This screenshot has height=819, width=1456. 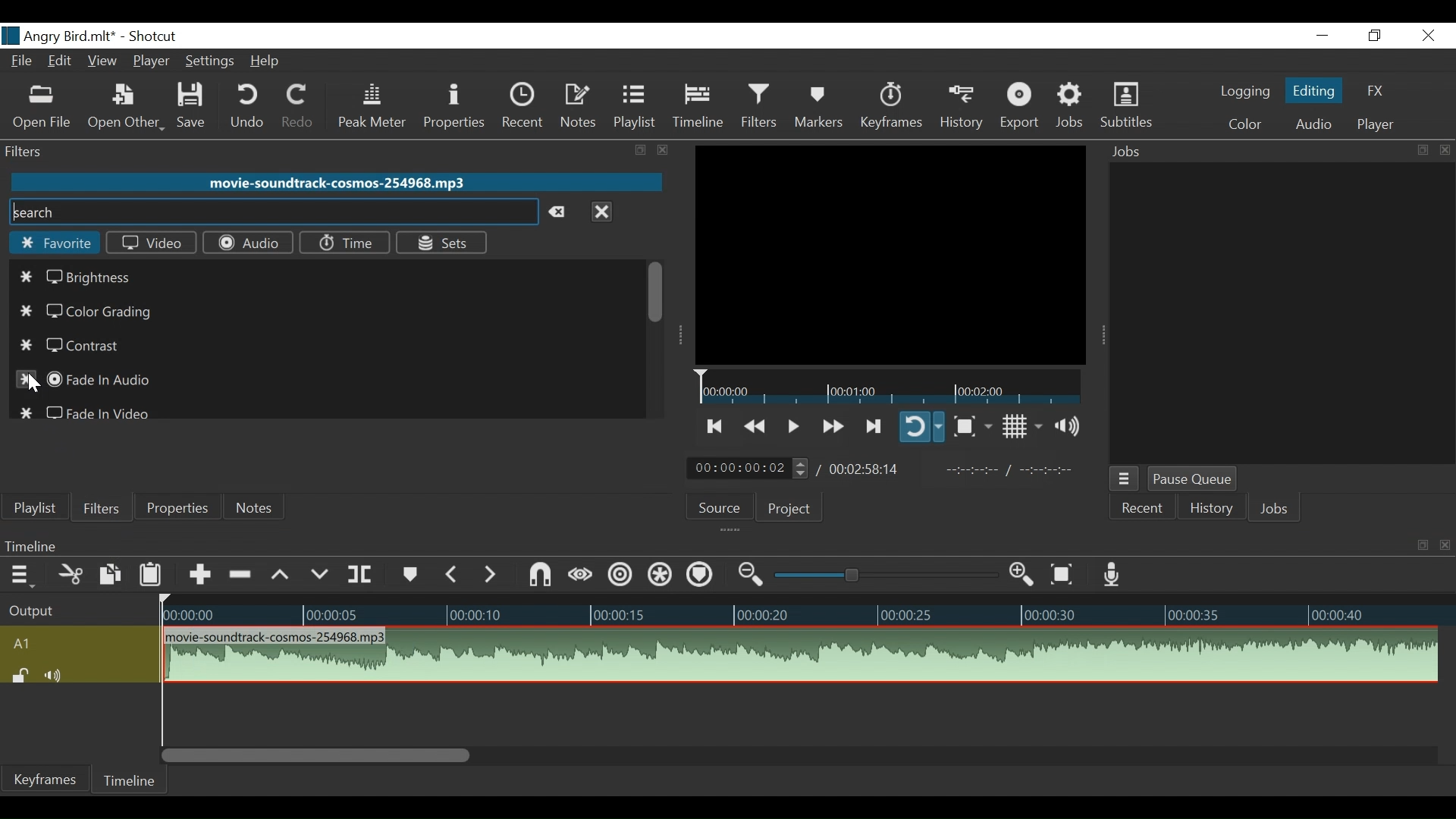 I want to click on Recent, so click(x=525, y=105).